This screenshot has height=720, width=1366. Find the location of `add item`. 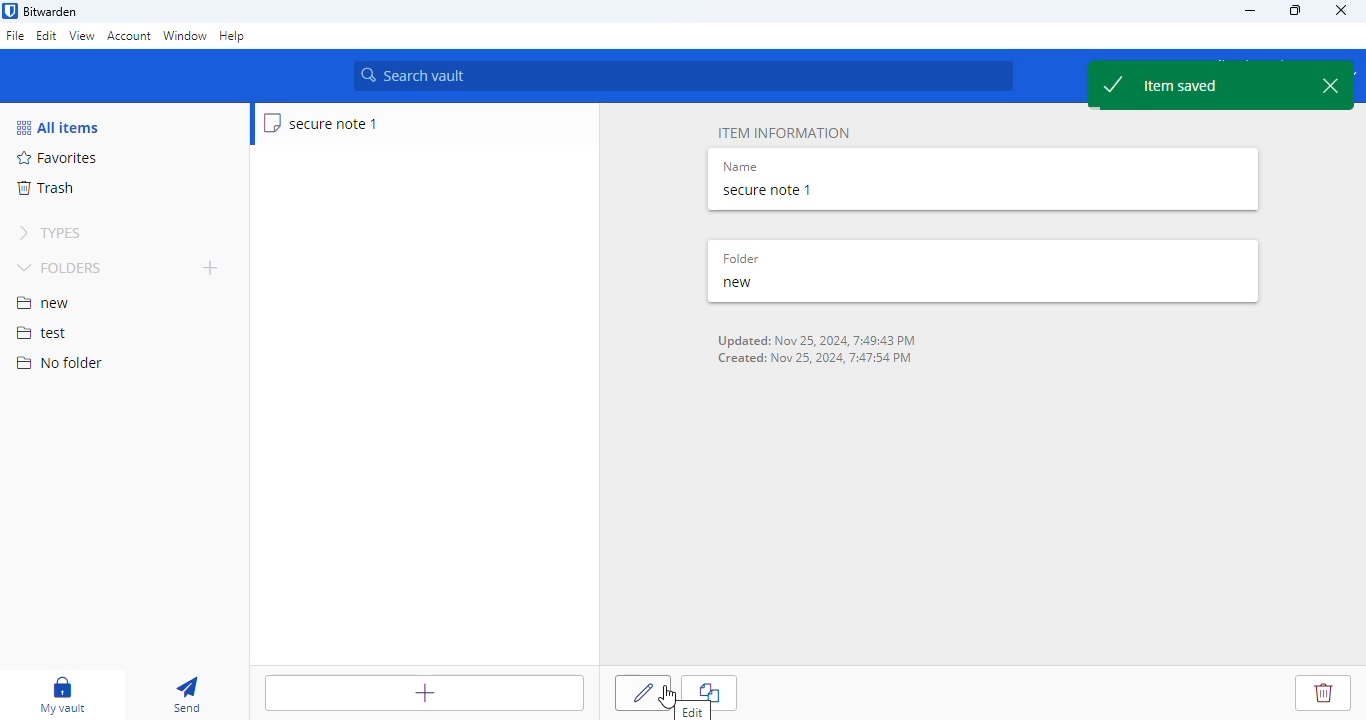

add item is located at coordinates (425, 693).